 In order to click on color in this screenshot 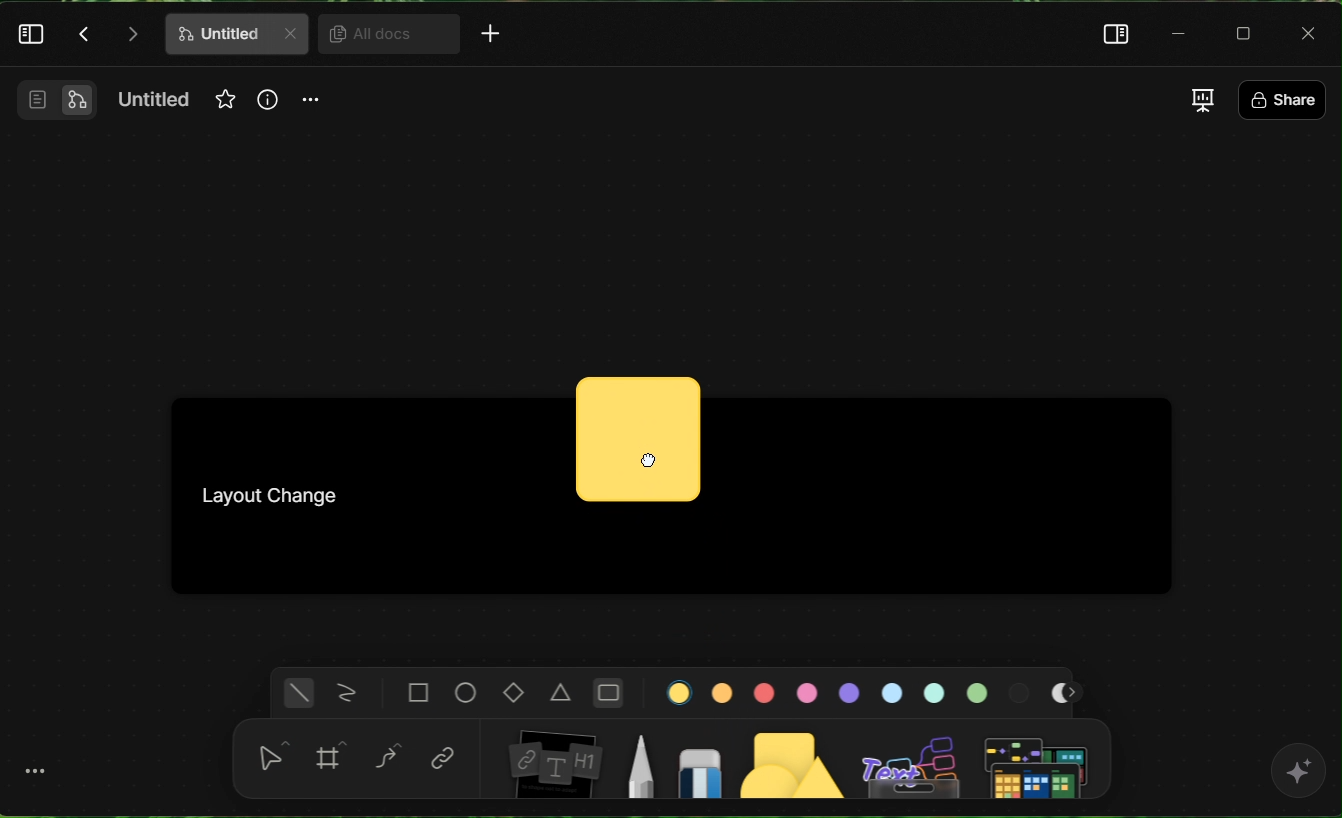, I will do `click(861, 690)`.